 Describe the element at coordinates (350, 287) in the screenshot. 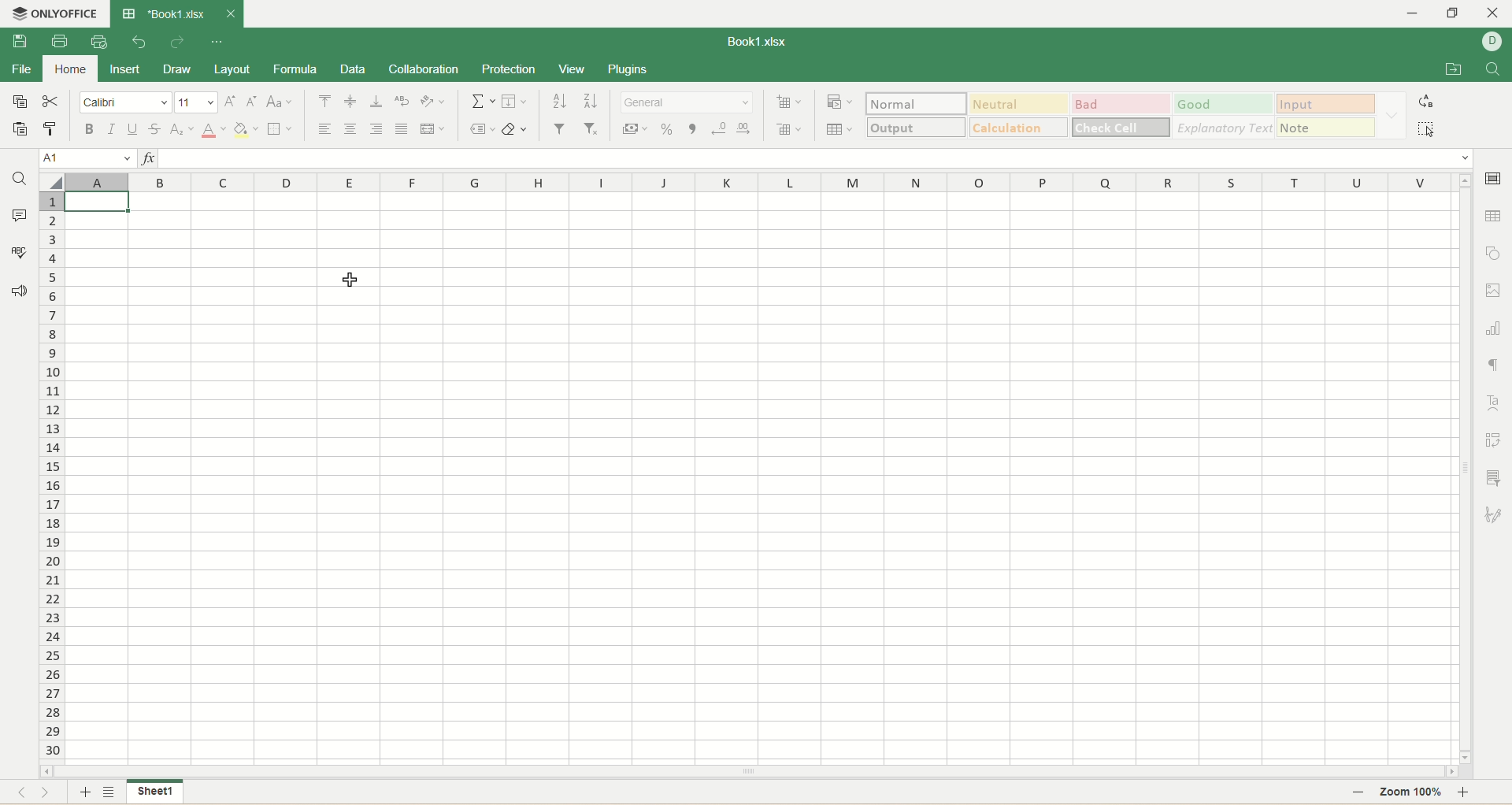

I see `cursor` at that location.